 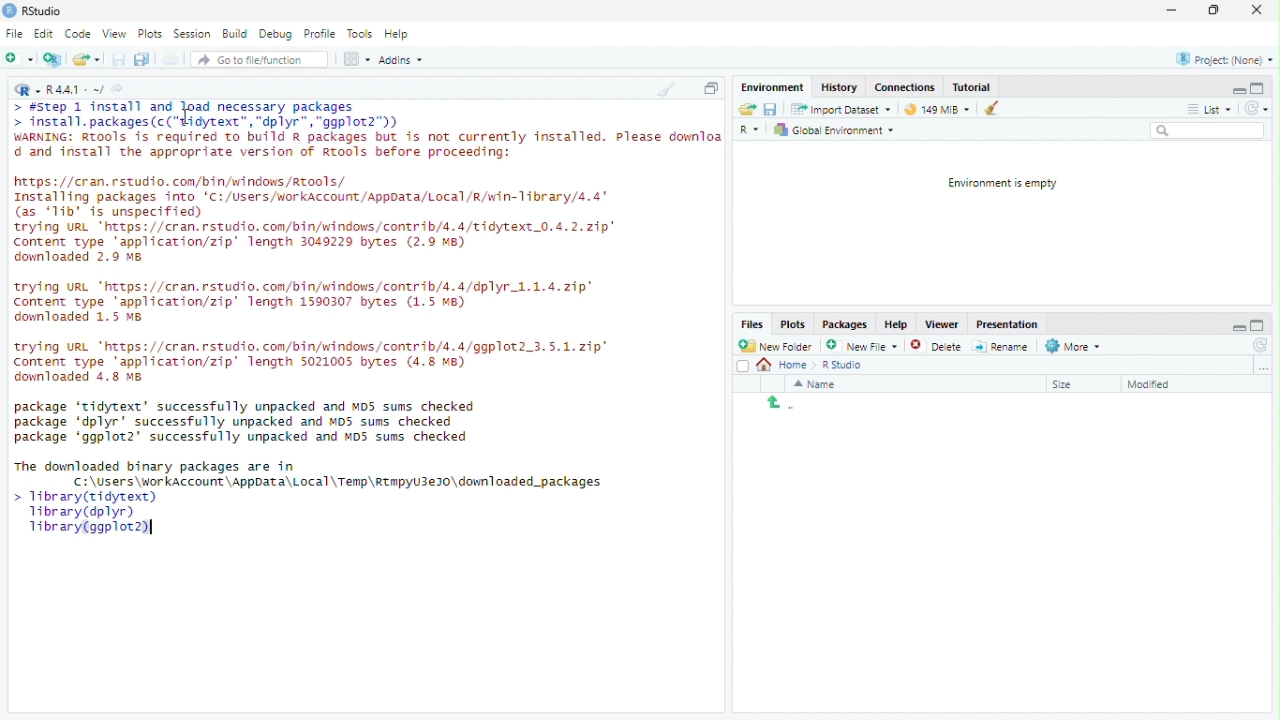 I want to click on , so click(x=775, y=88).